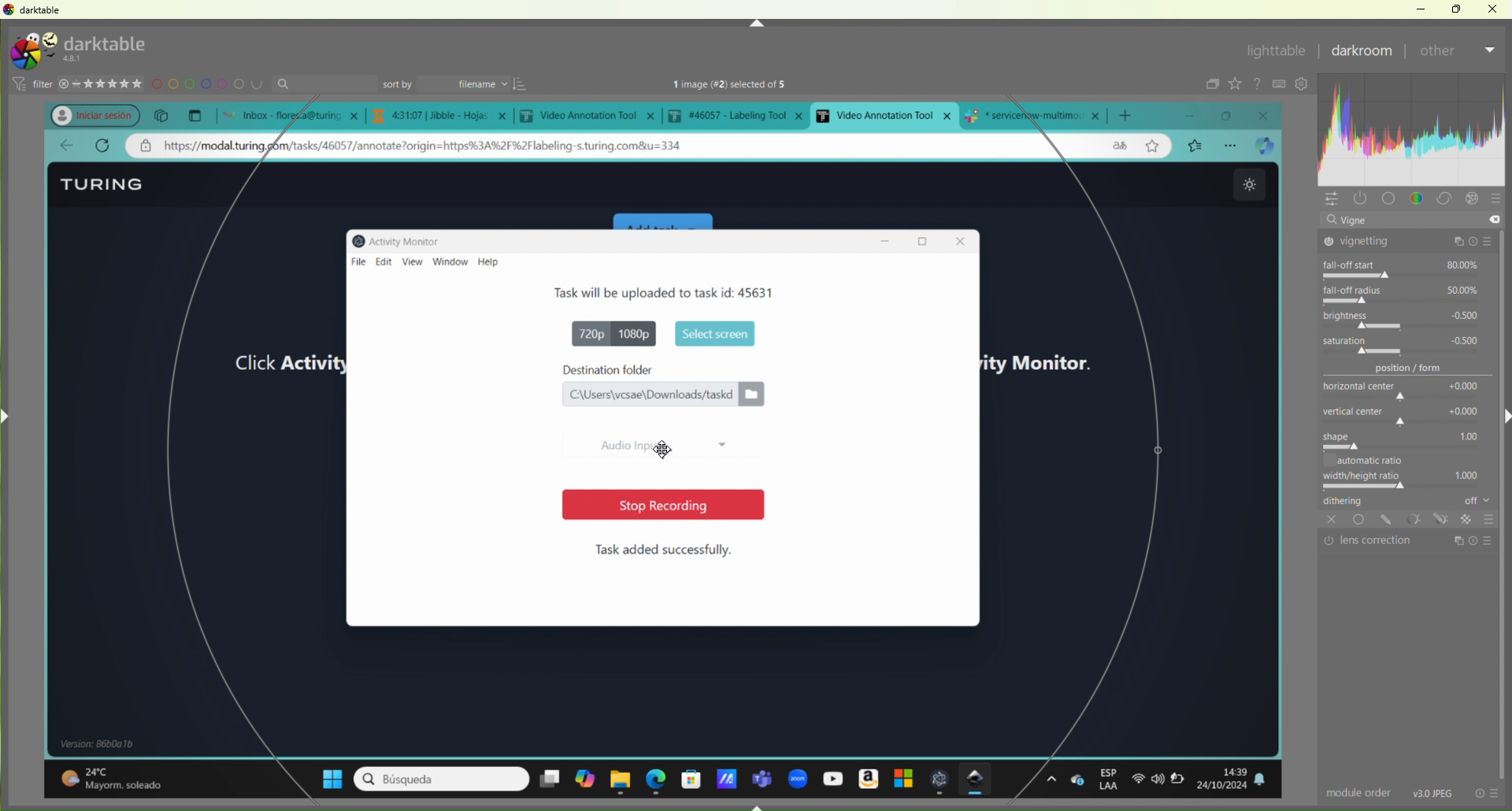 This screenshot has height=811, width=1512. I want to click on help, so click(495, 262).